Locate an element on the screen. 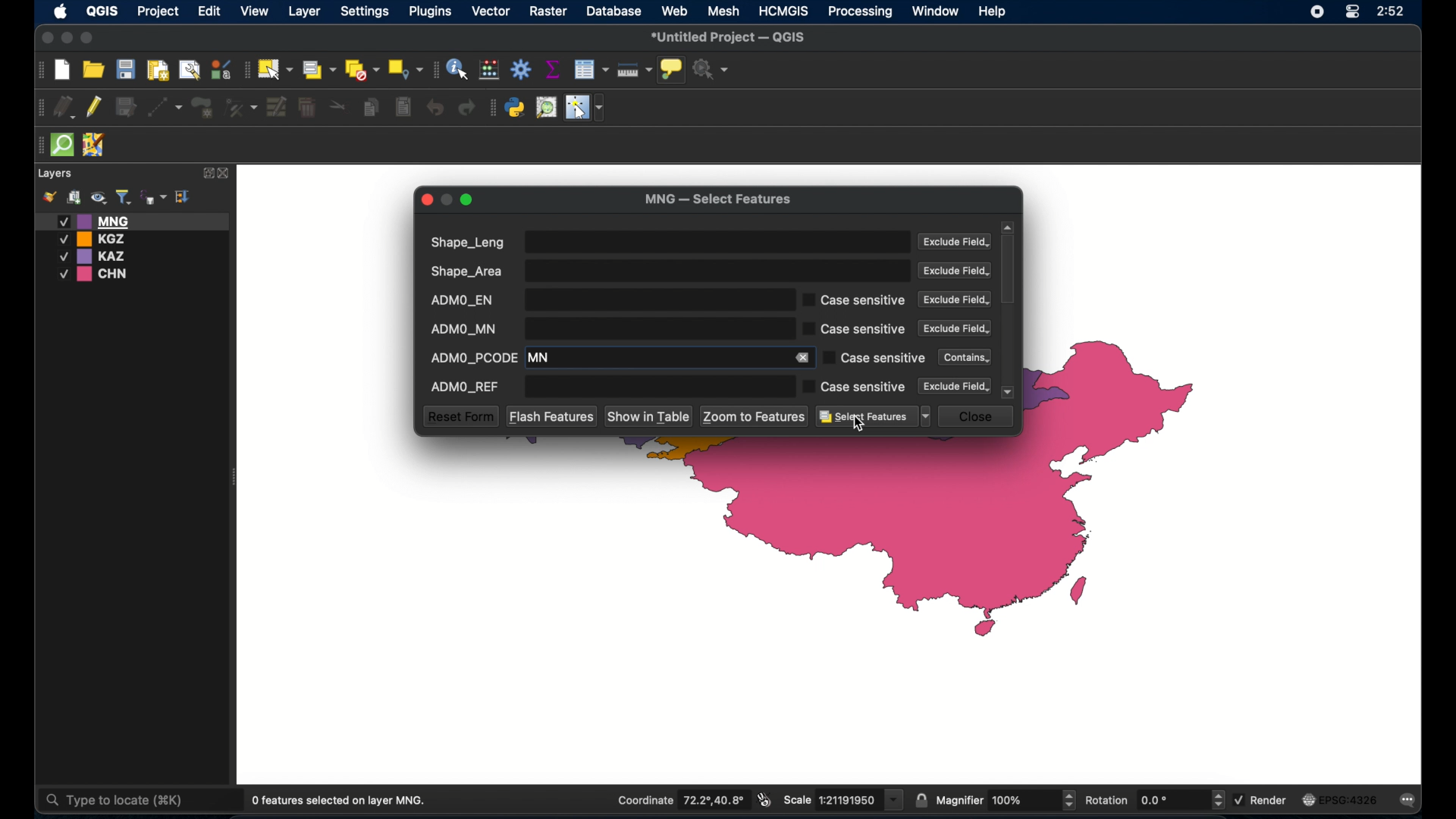 The image size is (1456, 819). plugins is located at coordinates (492, 108).